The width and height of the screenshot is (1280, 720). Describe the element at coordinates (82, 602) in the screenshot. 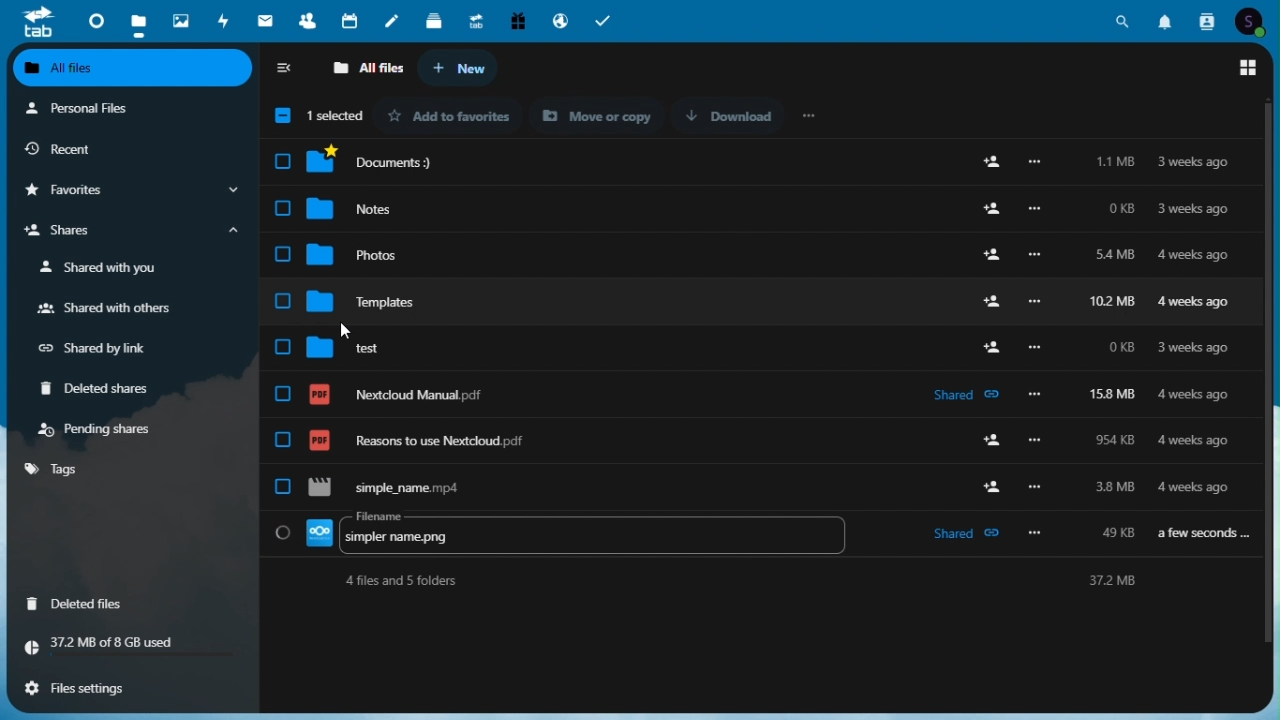

I see `deleted files` at that location.